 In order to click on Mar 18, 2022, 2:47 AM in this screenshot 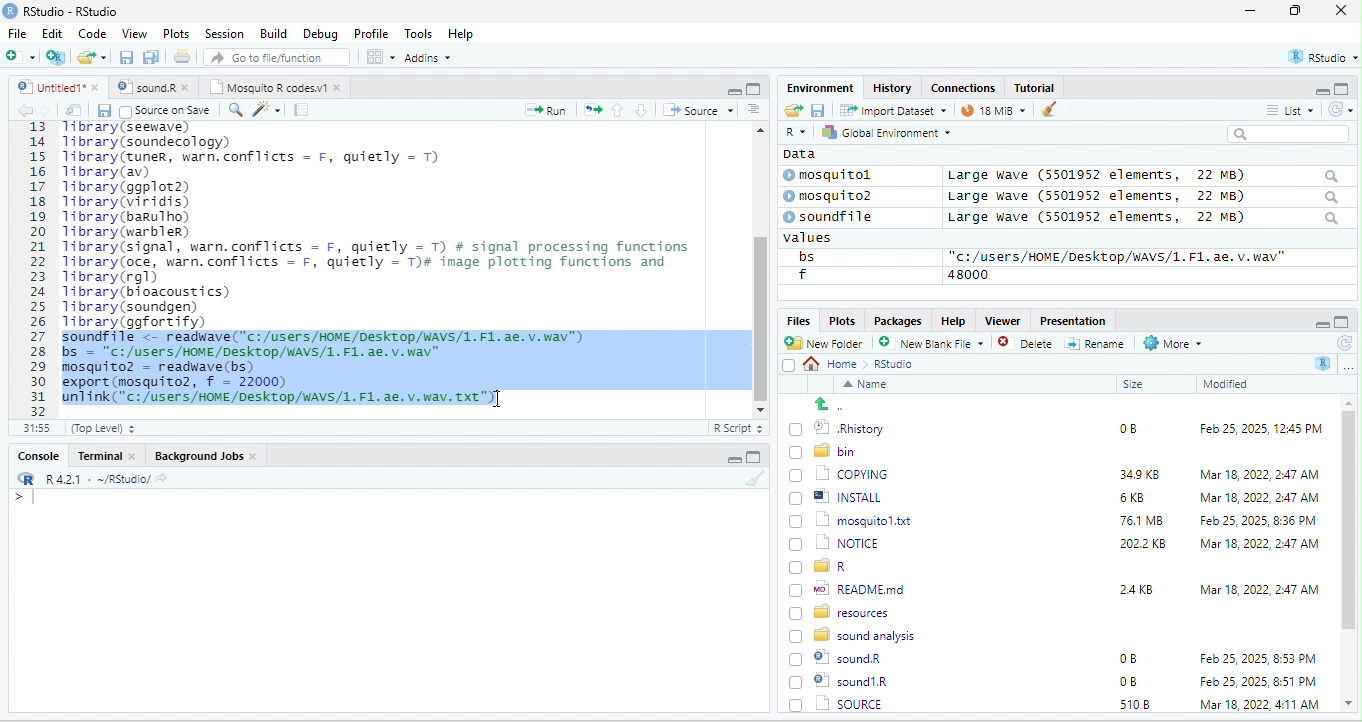, I will do `click(1254, 499)`.